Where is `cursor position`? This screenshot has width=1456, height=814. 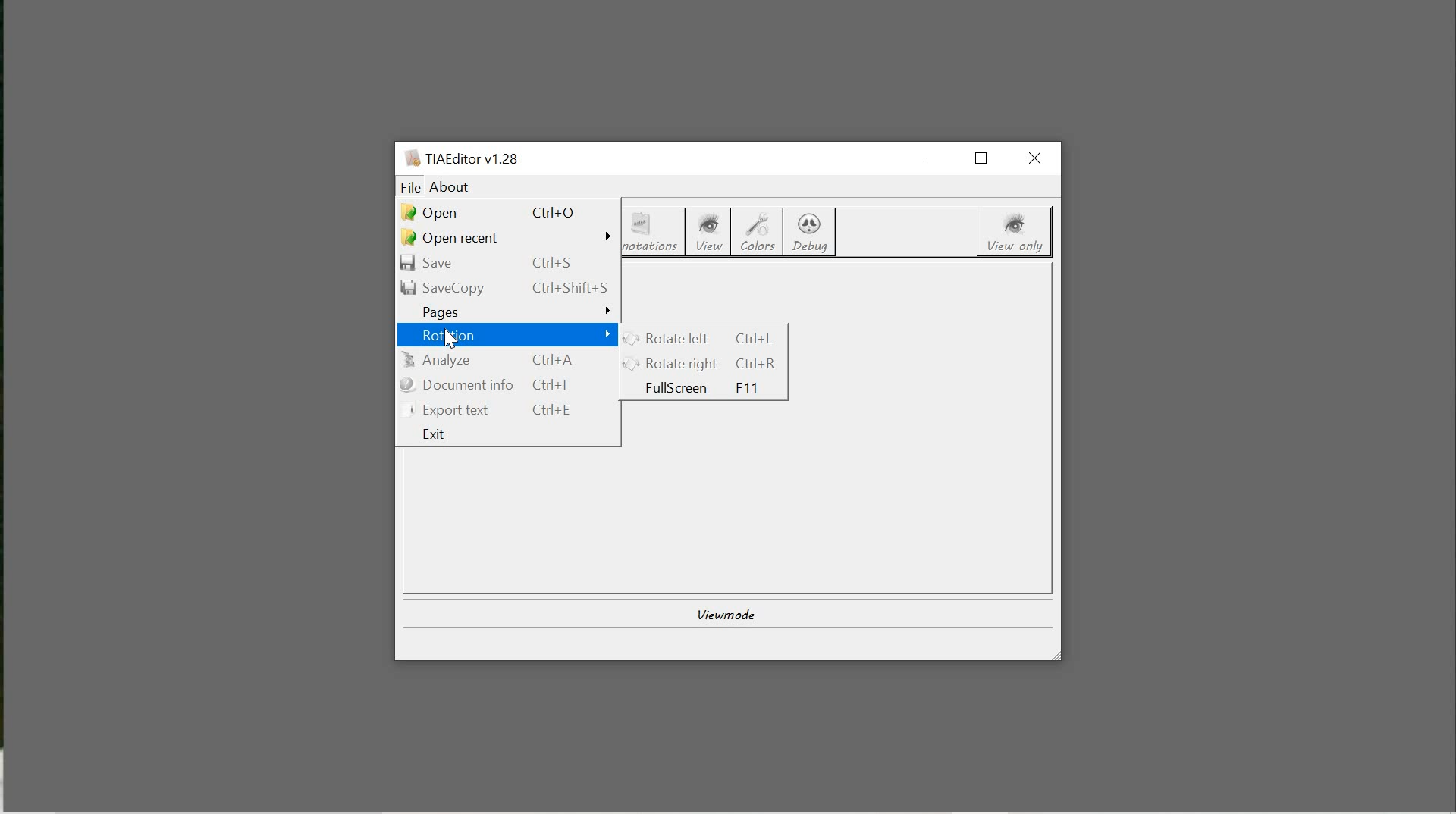
cursor position is located at coordinates (453, 340).